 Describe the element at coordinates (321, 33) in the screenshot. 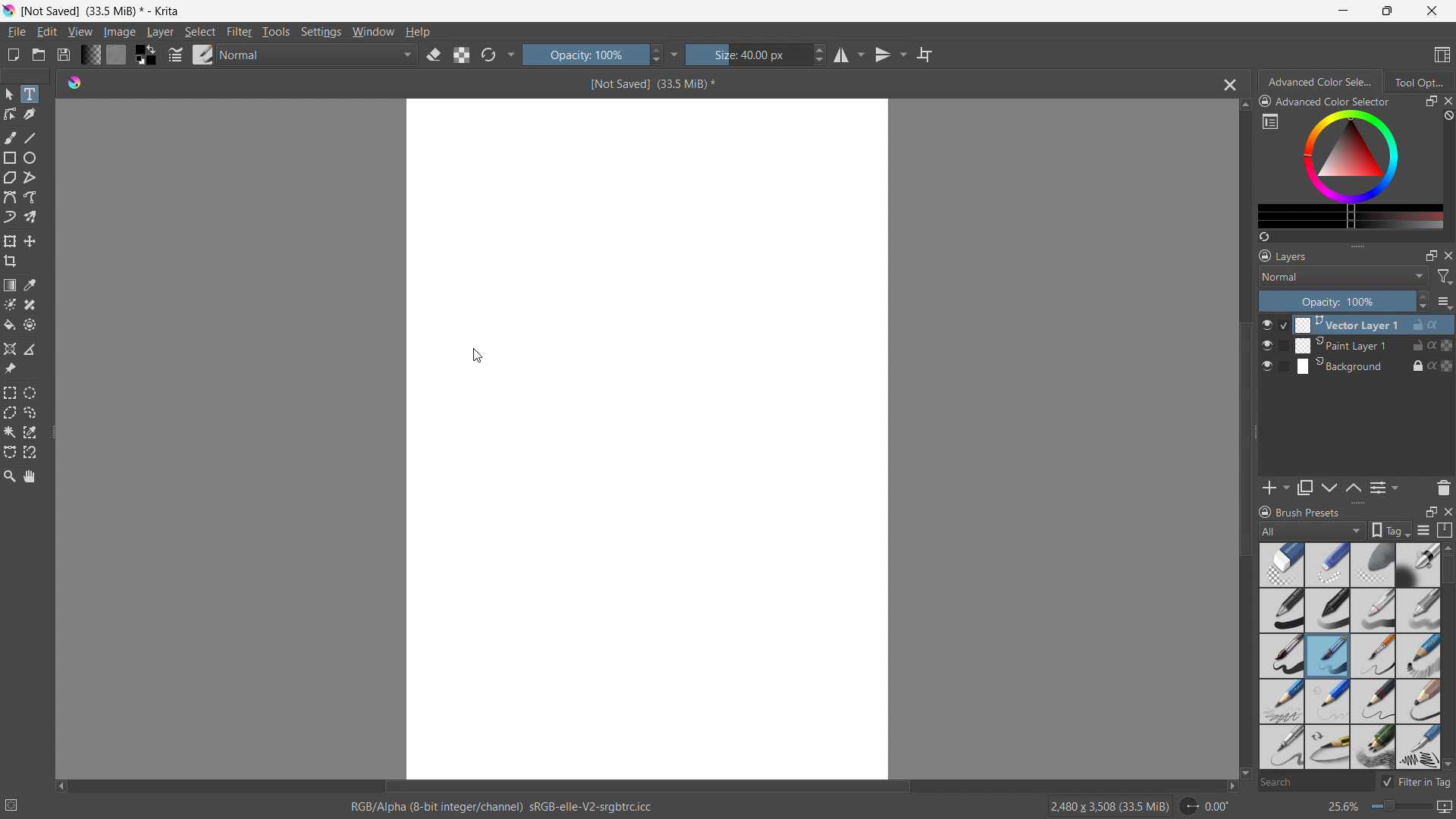

I see `settings` at that location.